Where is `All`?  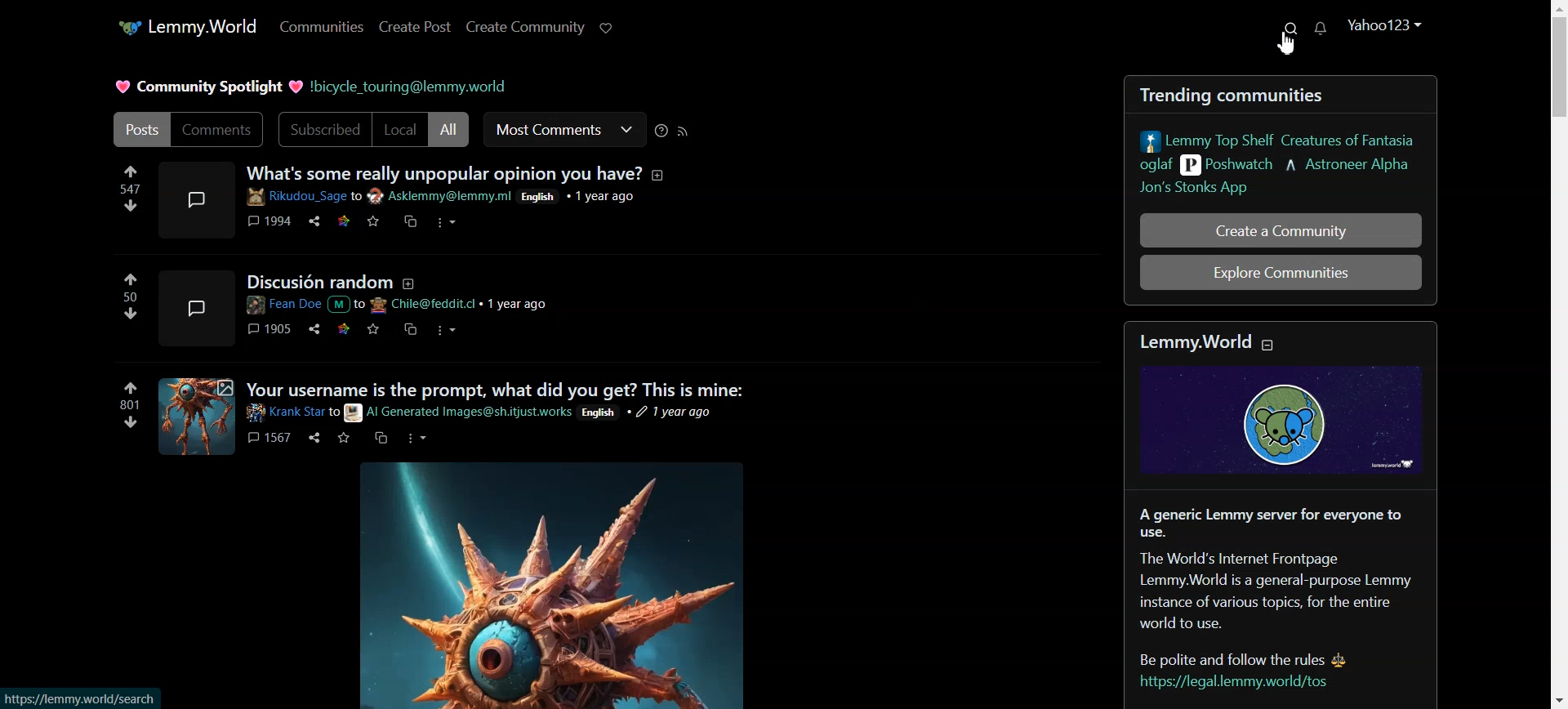
All is located at coordinates (452, 129).